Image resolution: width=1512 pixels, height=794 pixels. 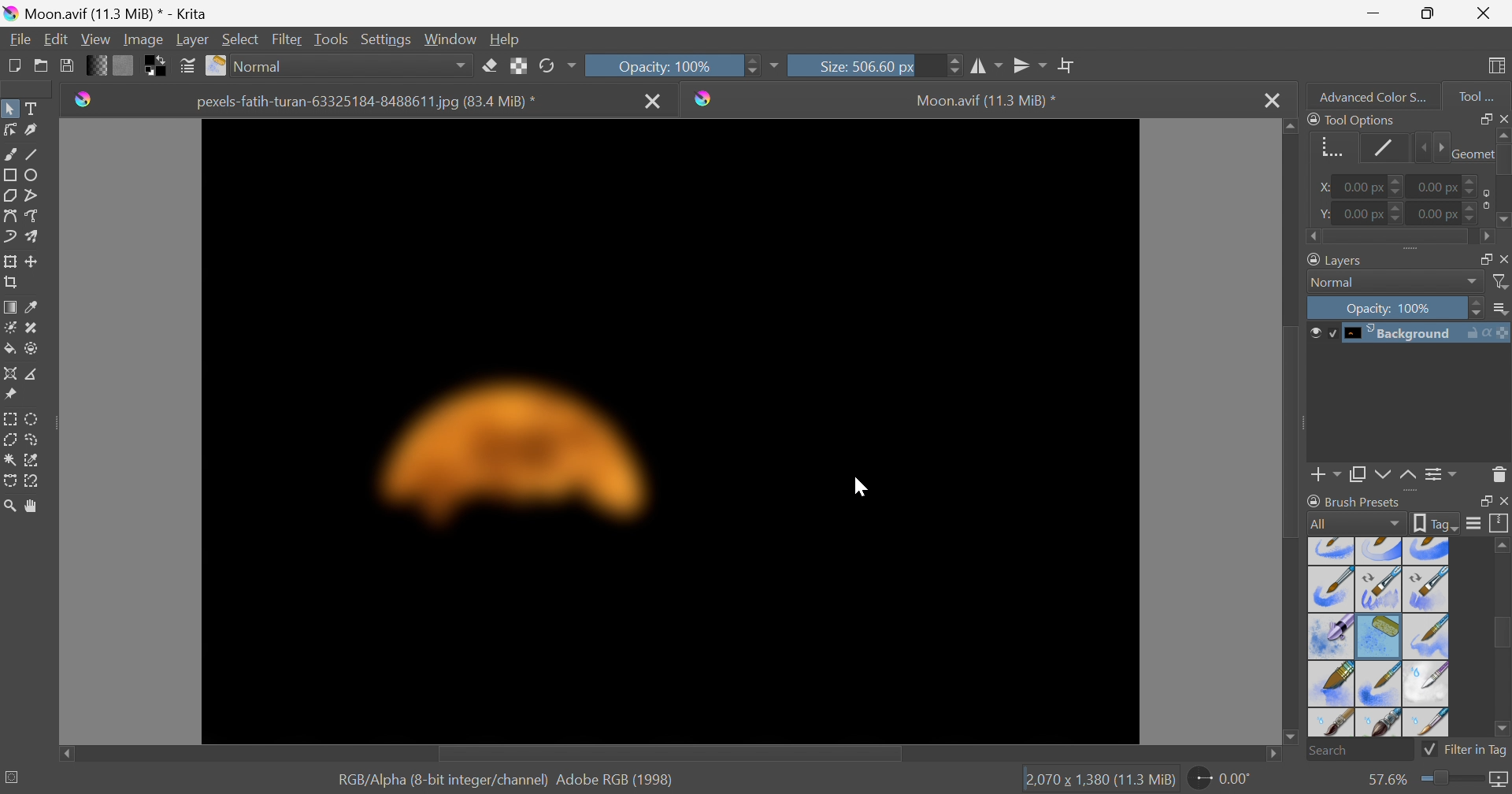 I want to click on Geometry, so click(x=1470, y=154).